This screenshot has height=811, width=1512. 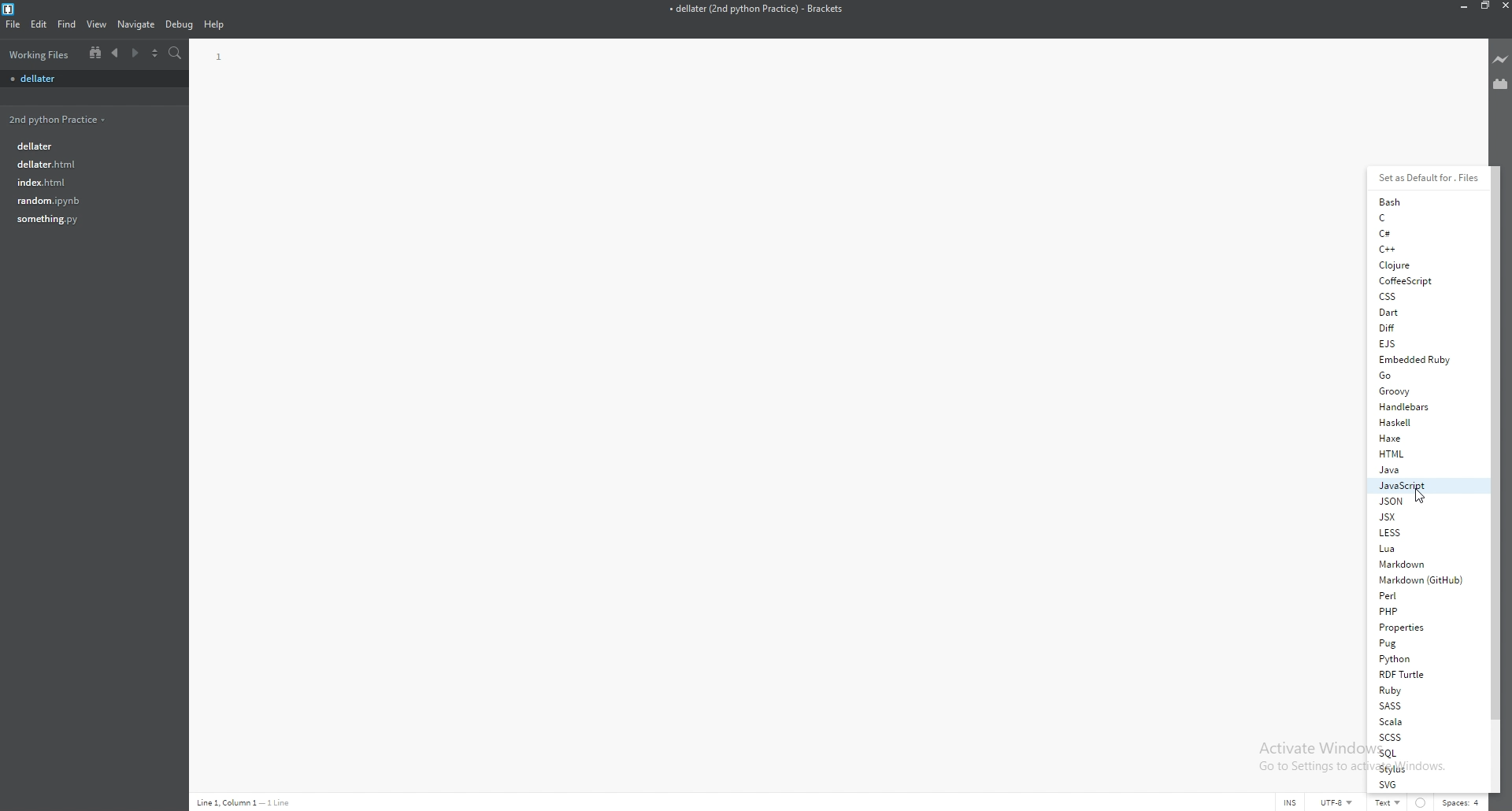 What do you see at coordinates (87, 182) in the screenshot?
I see `file` at bounding box center [87, 182].